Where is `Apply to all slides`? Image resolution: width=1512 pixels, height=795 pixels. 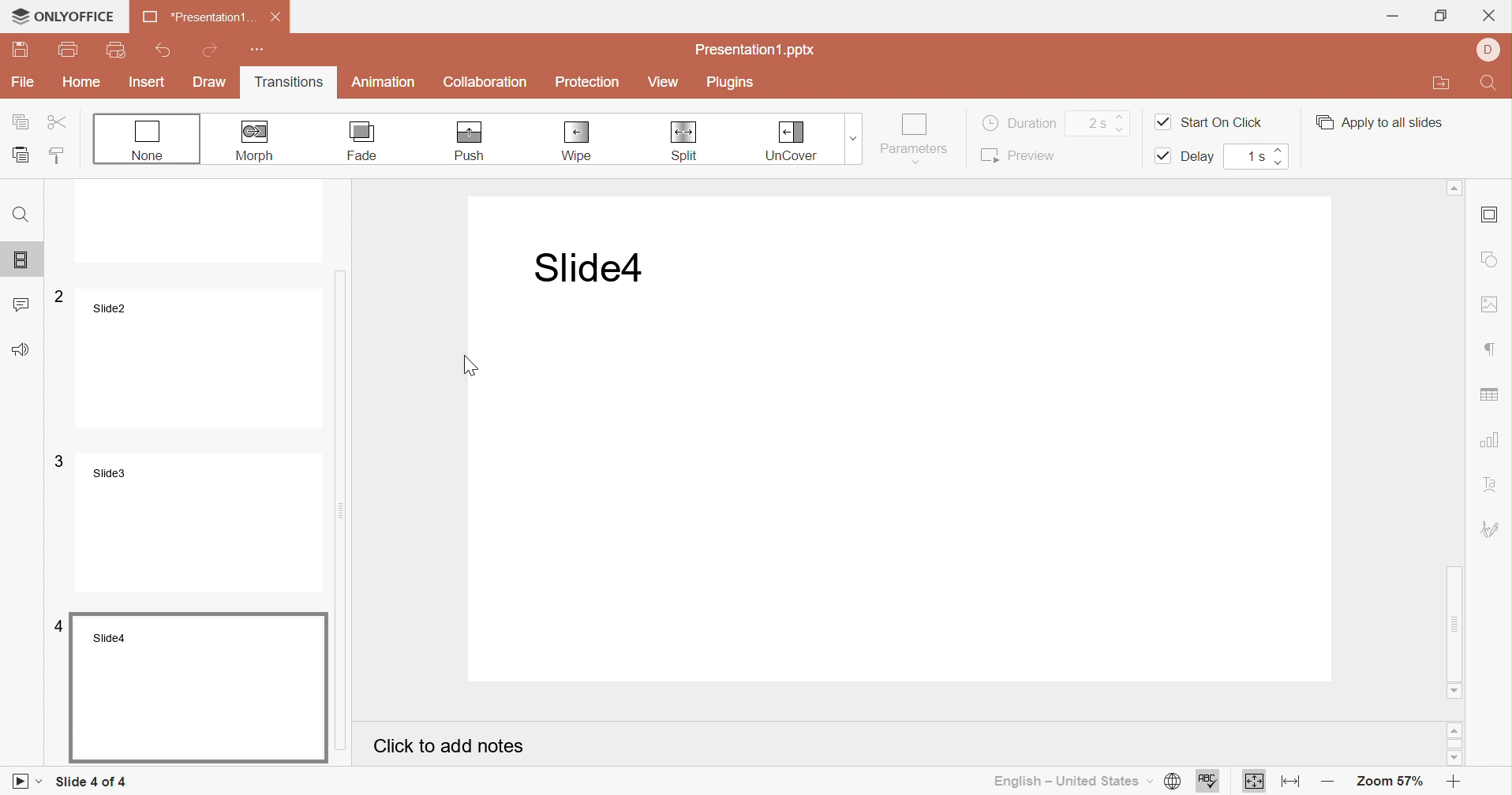 Apply to all slides is located at coordinates (1378, 122).